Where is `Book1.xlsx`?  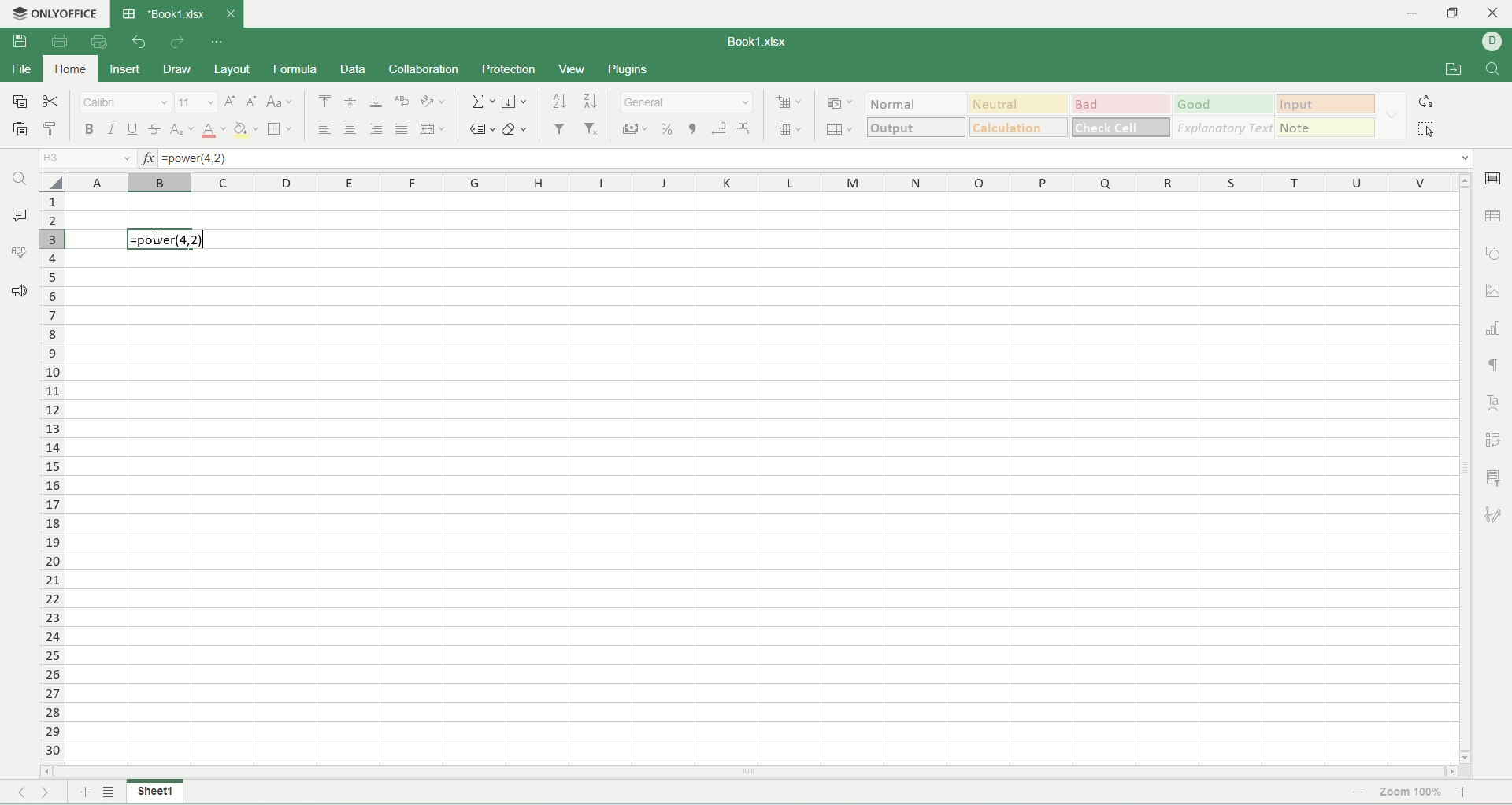 Book1.xlsx is located at coordinates (767, 40).